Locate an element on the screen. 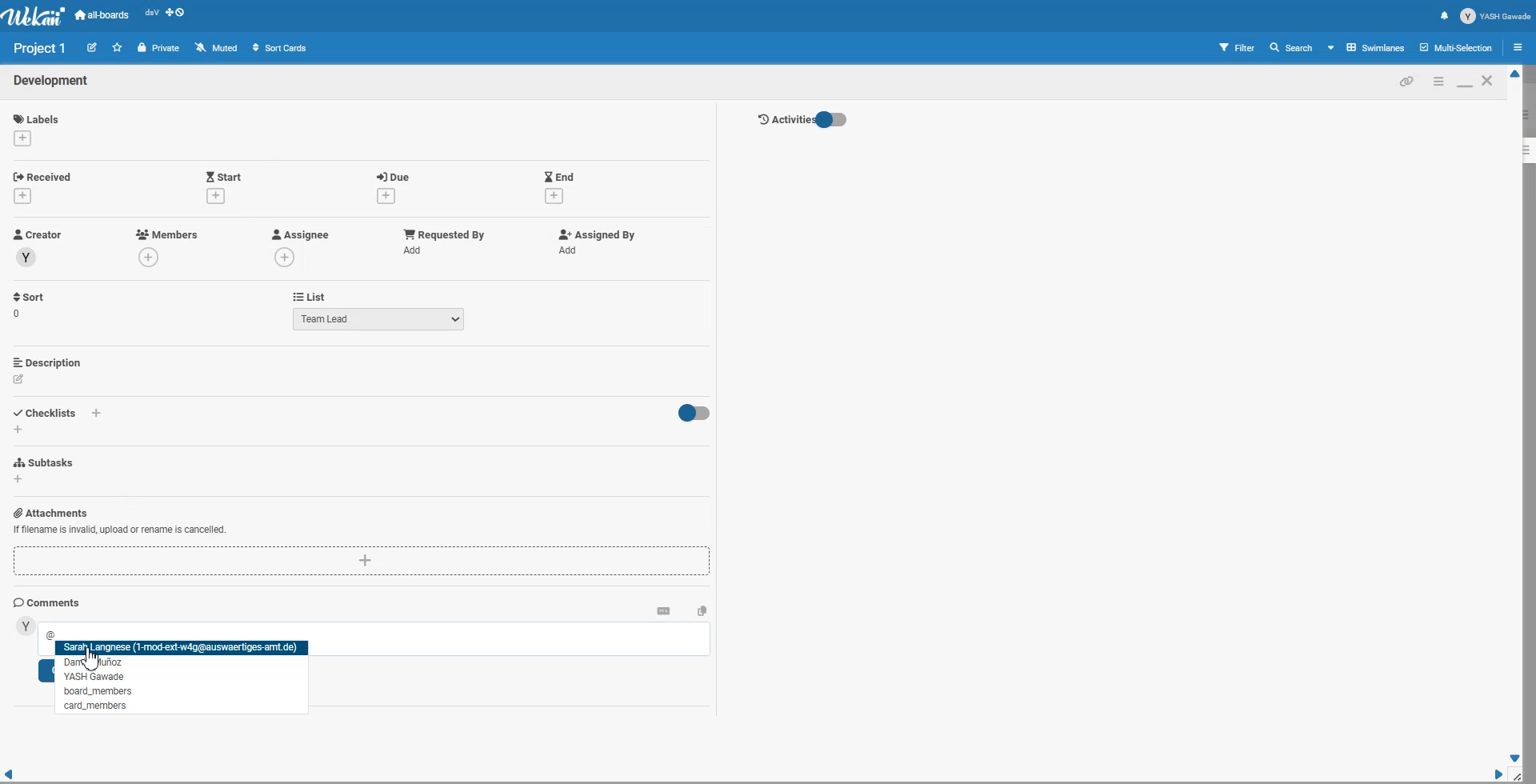 The height and width of the screenshot is (784, 1536). add is located at coordinates (98, 414).